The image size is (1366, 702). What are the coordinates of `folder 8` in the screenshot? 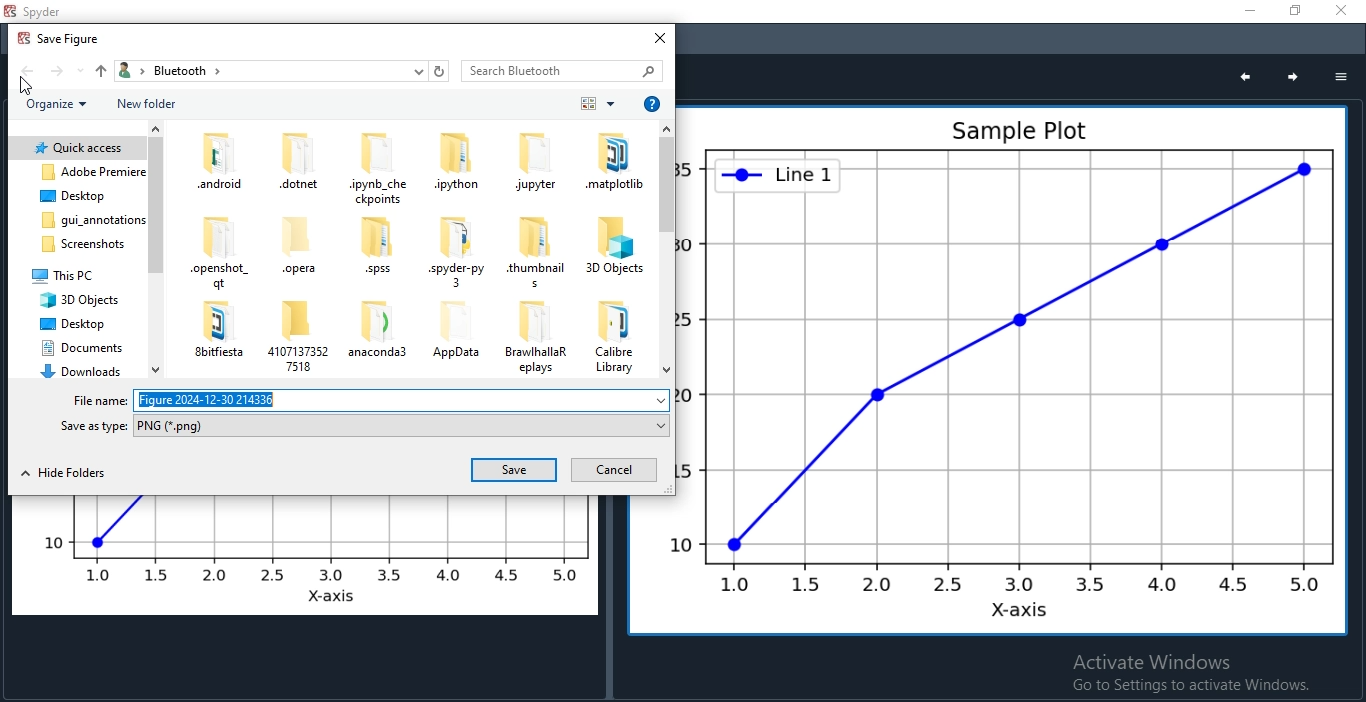 It's located at (71, 323).